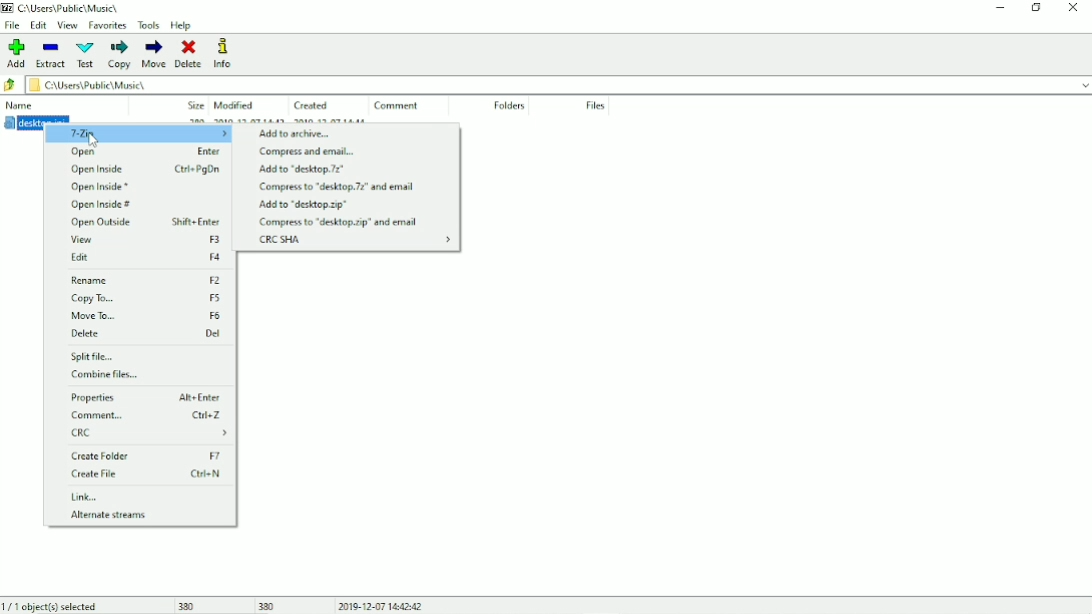 The image size is (1092, 614). I want to click on Link, so click(88, 497).